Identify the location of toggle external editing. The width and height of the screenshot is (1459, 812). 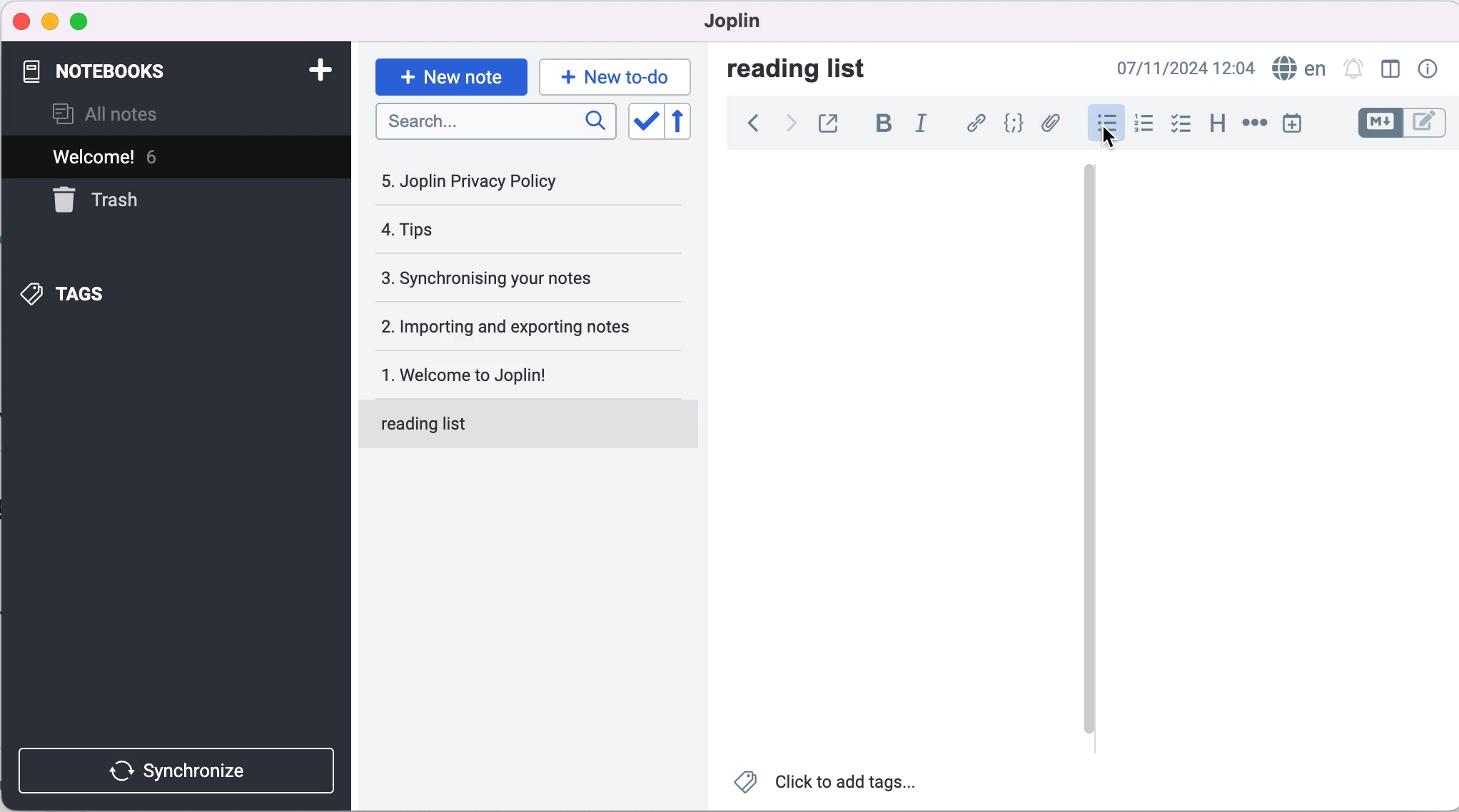
(835, 122).